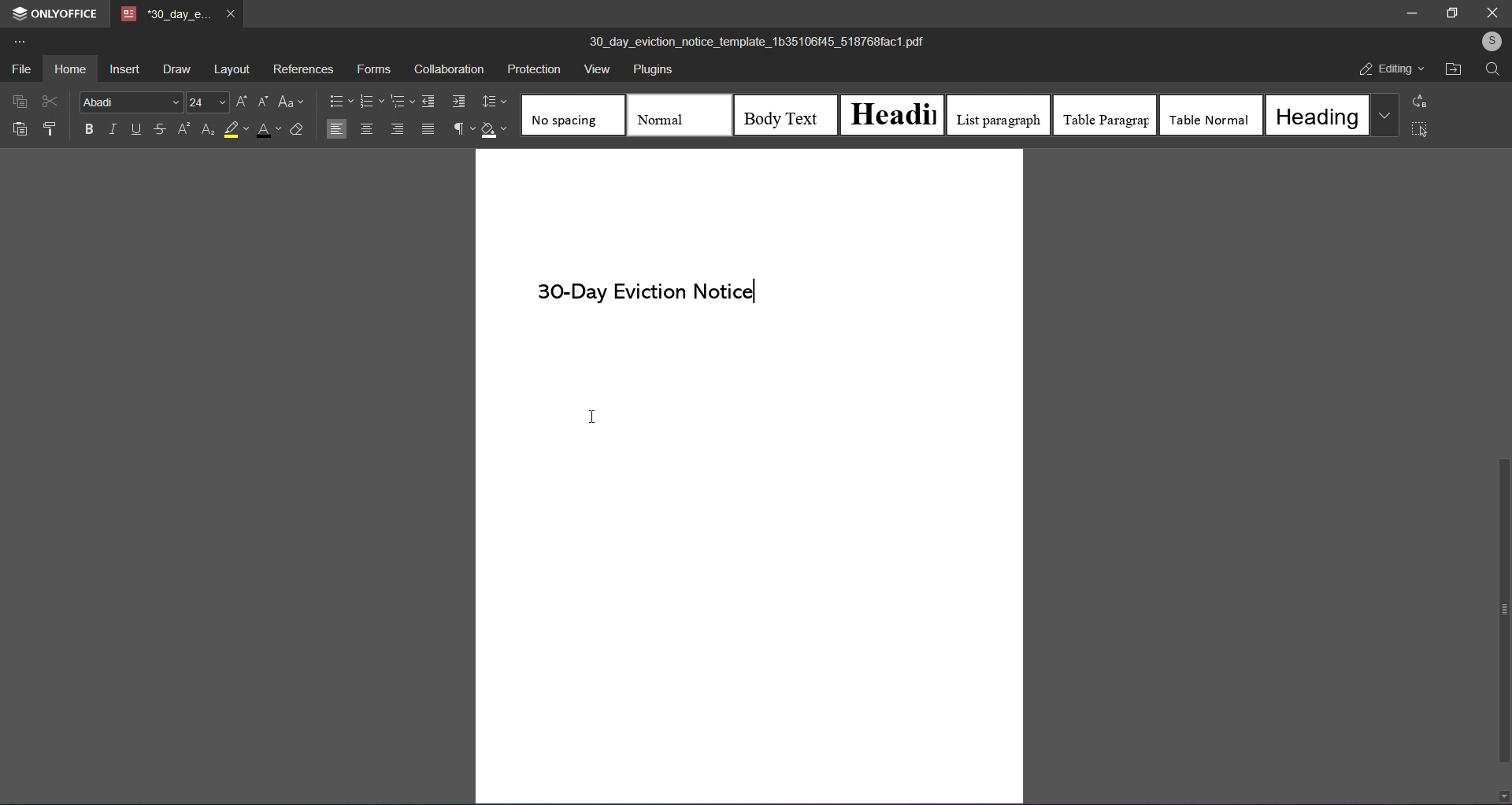  What do you see at coordinates (265, 131) in the screenshot?
I see `font color` at bounding box center [265, 131].